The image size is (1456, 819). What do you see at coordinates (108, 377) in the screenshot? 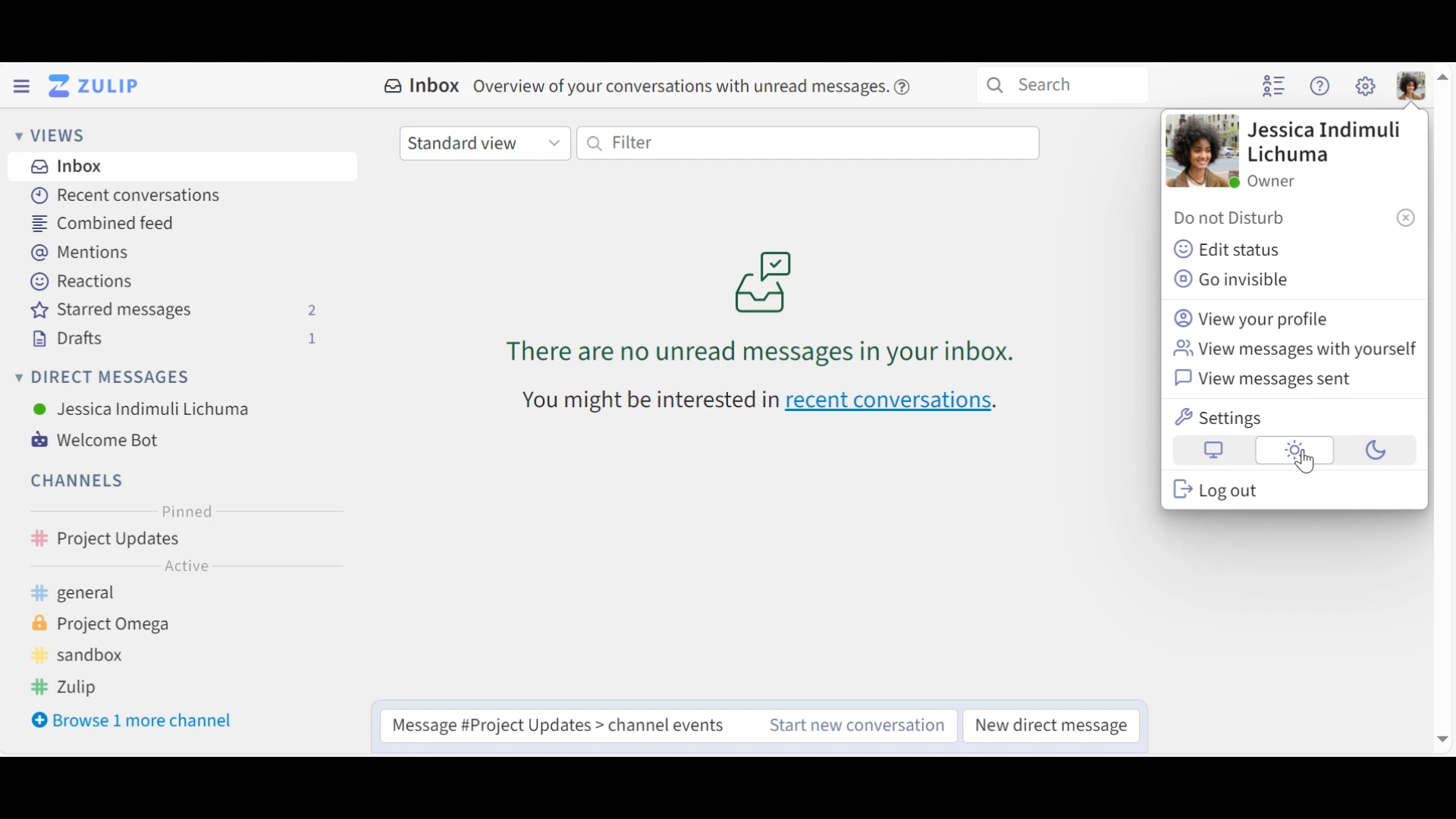
I see `Direct Messages` at bounding box center [108, 377].